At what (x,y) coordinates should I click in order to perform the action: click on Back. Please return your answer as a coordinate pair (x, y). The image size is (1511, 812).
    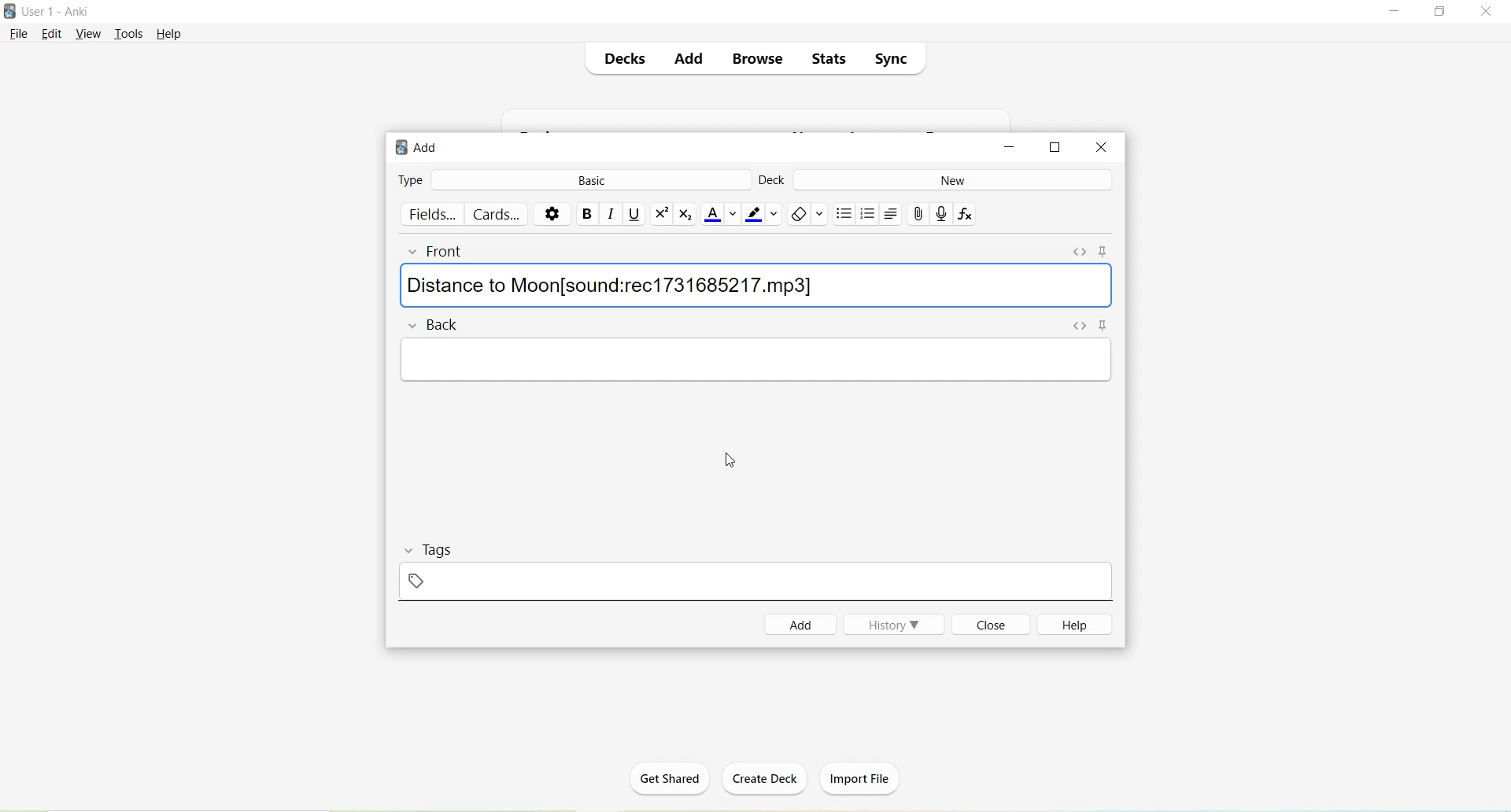
    Looking at the image, I should click on (447, 326).